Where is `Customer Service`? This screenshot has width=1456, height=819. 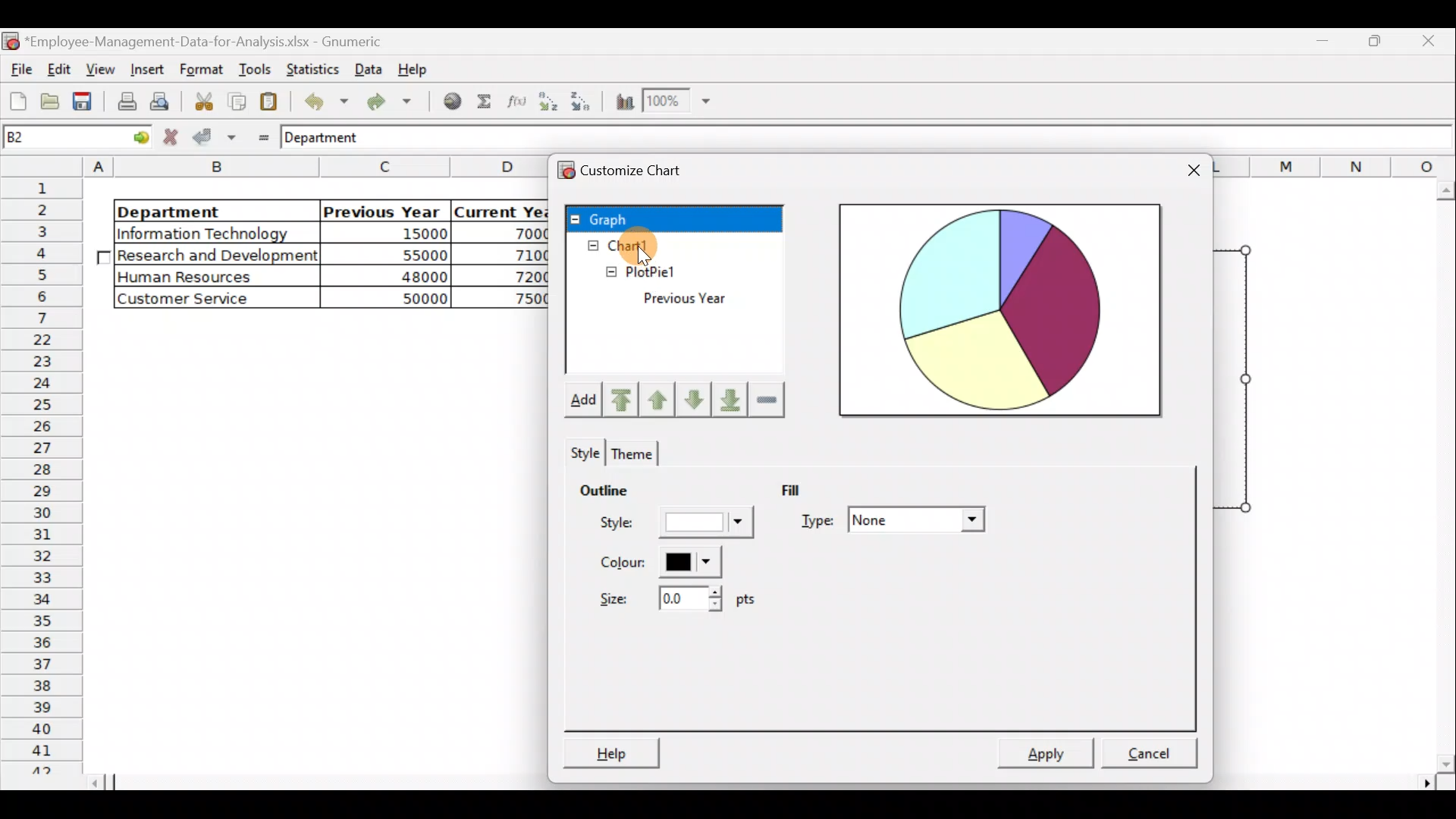
Customer Service is located at coordinates (201, 299).